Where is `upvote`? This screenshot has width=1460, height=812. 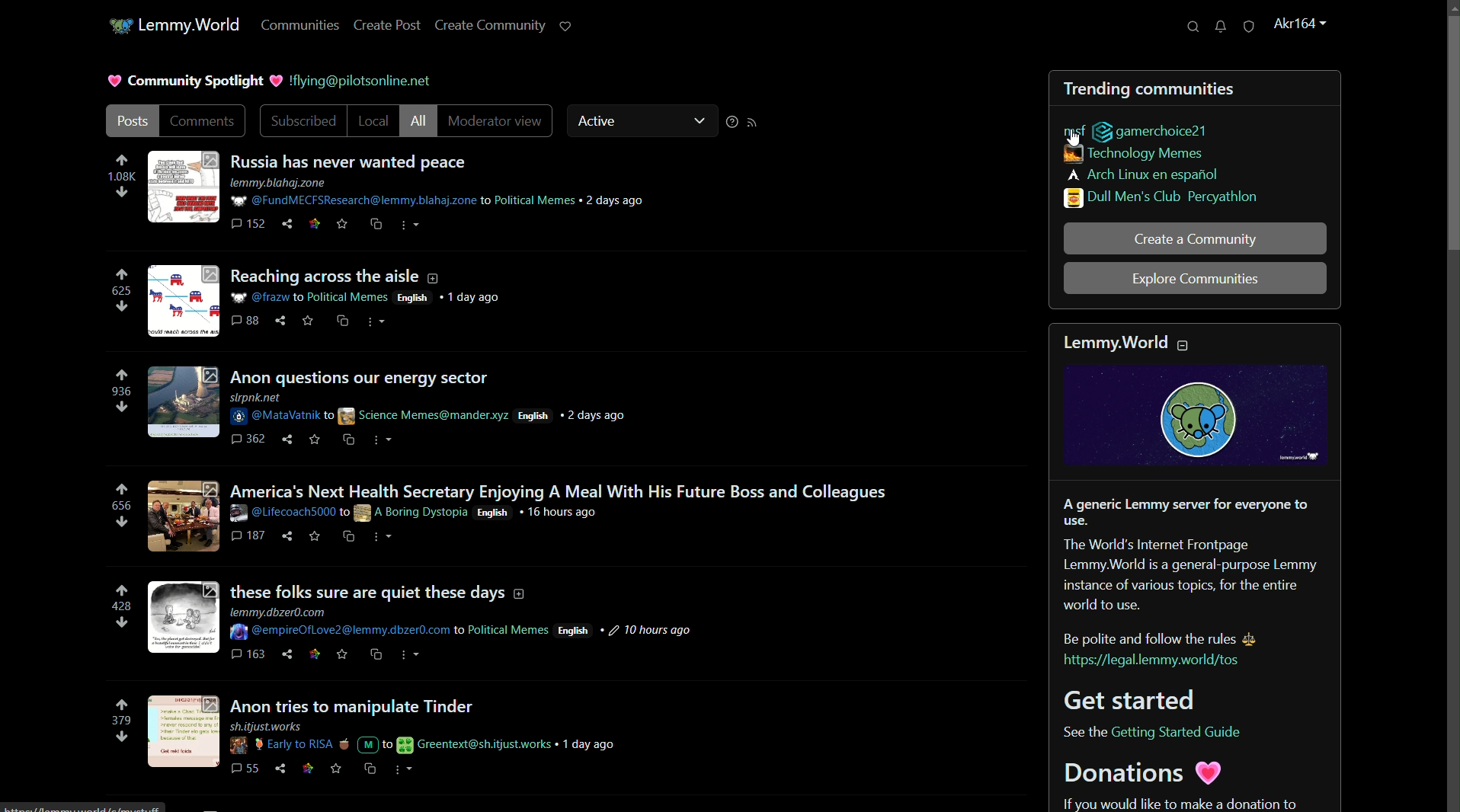
upvote is located at coordinates (121, 705).